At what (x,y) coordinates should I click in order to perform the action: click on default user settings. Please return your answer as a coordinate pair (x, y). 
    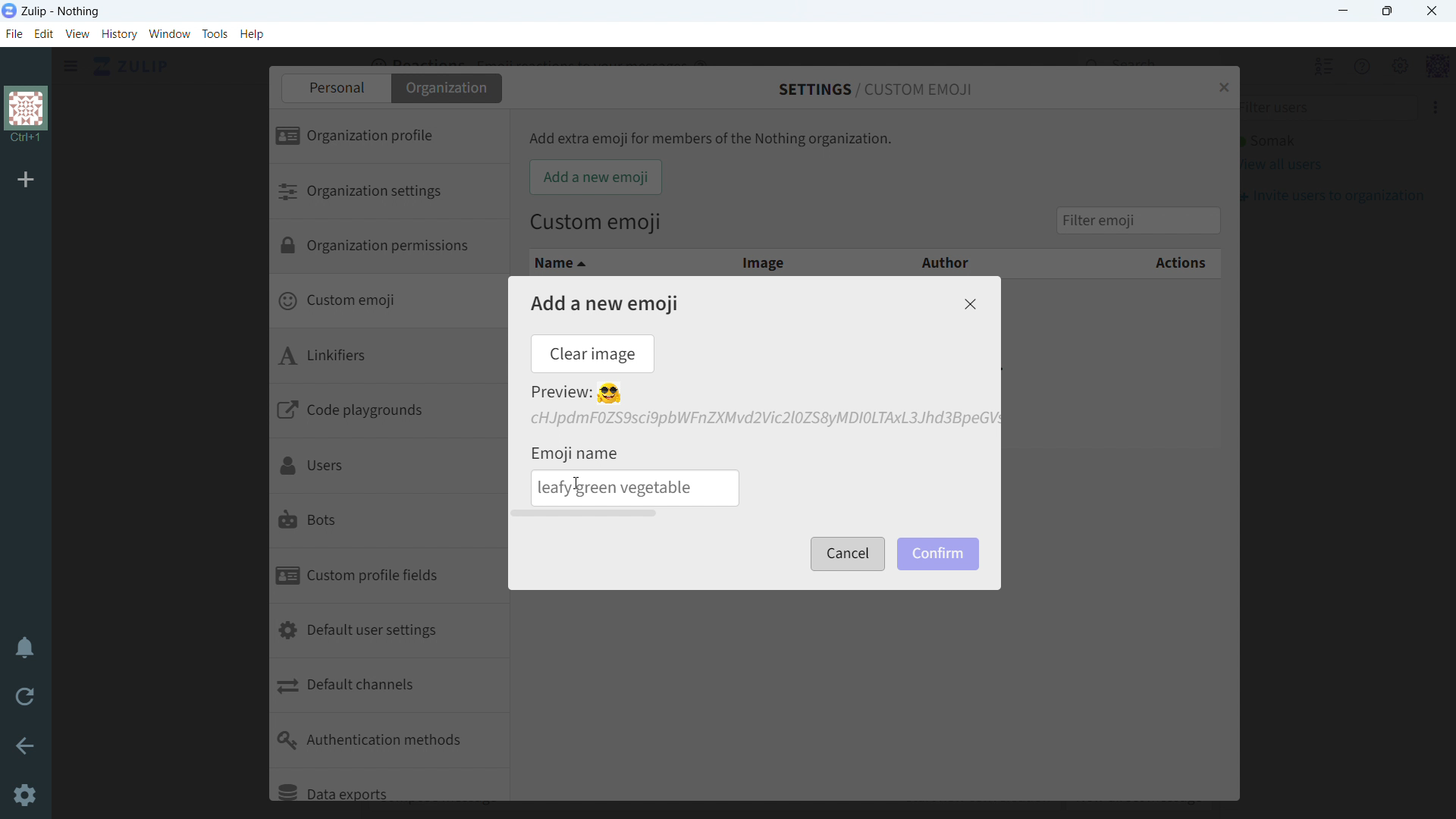
    Looking at the image, I should click on (390, 632).